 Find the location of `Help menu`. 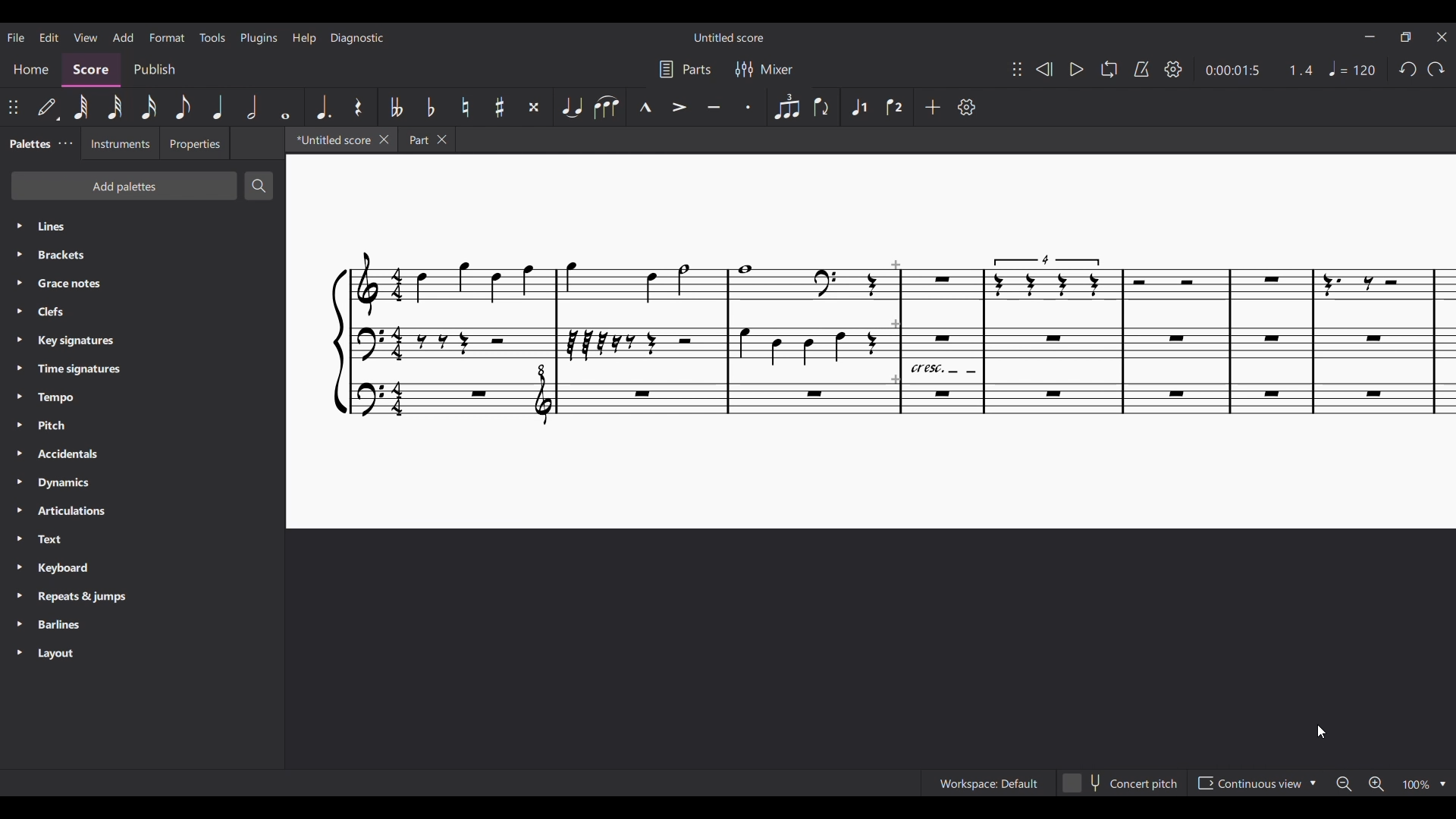

Help menu is located at coordinates (304, 38).